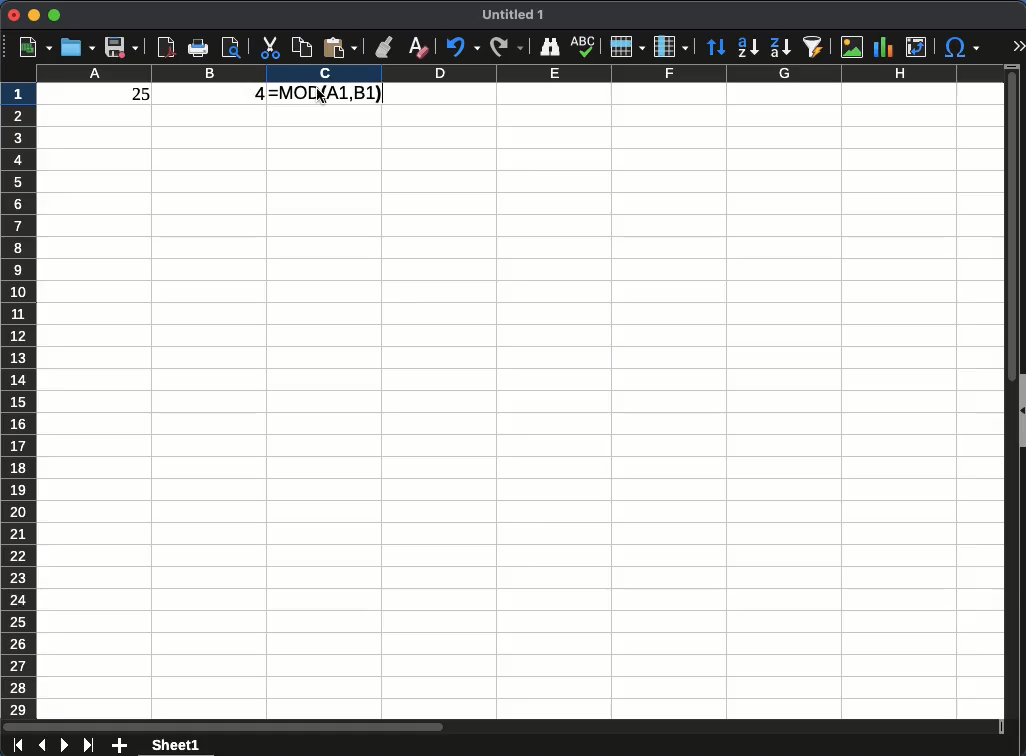 The image size is (1026, 756). What do you see at coordinates (515, 74) in the screenshot?
I see `columns ` at bounding box center [515, 74].